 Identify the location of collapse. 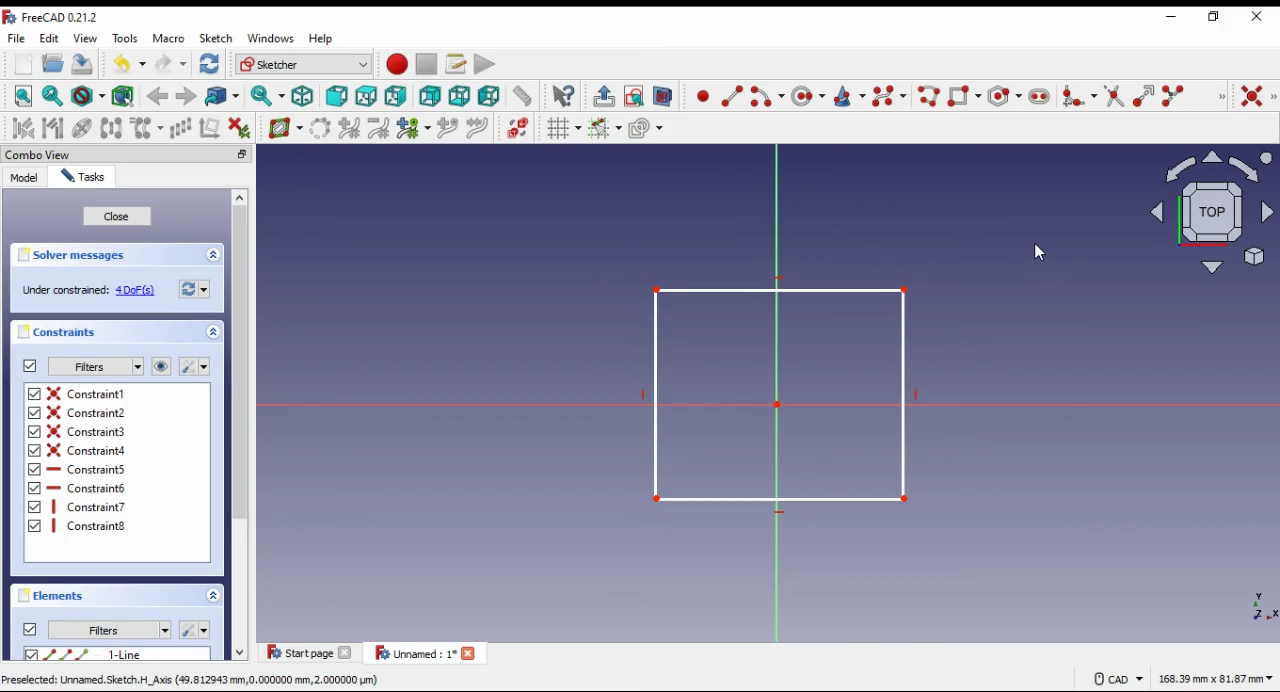
(213, 255).